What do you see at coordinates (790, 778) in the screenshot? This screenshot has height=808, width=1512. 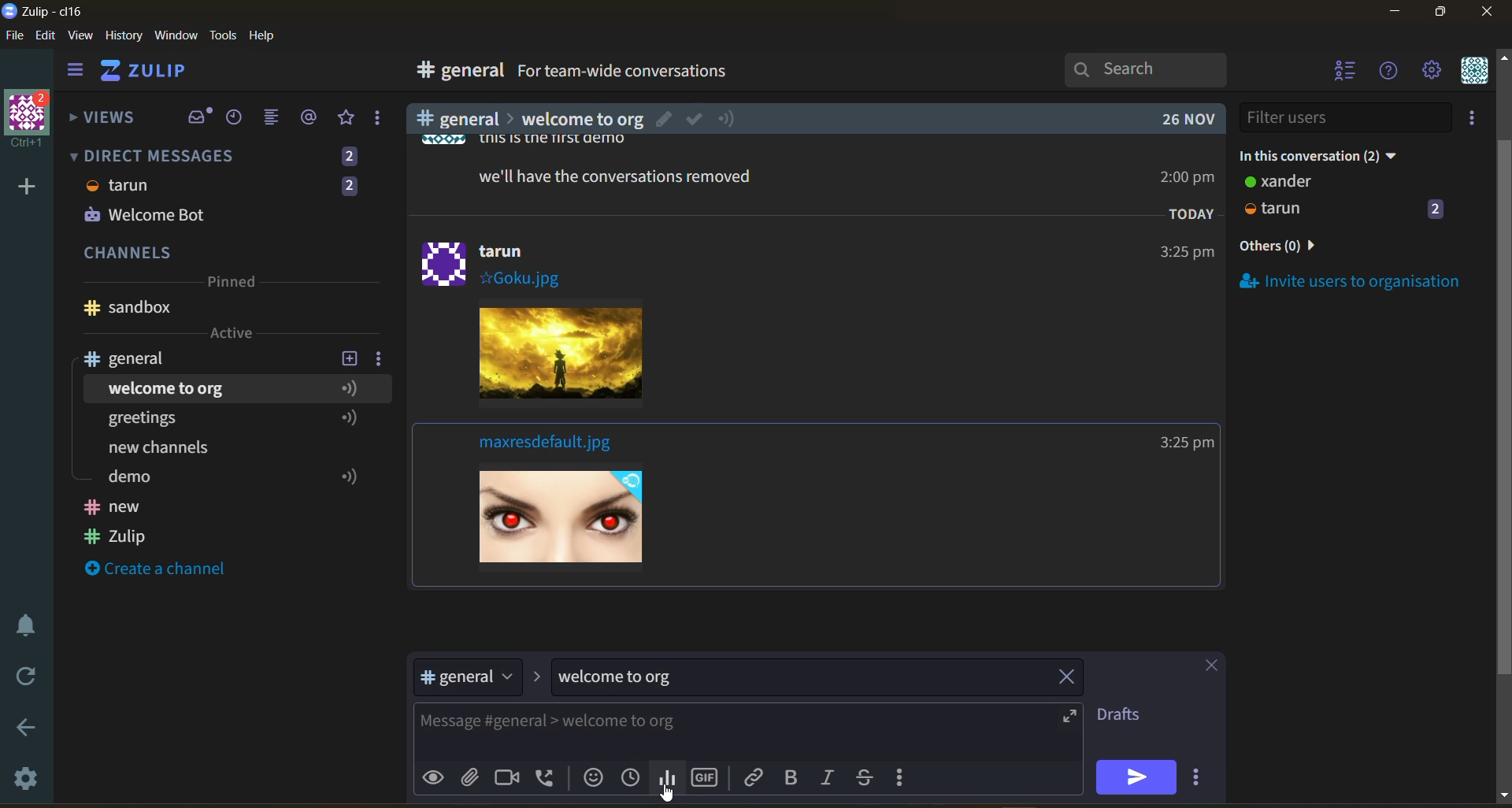 I see `bold` at bounding box center [790, 778].